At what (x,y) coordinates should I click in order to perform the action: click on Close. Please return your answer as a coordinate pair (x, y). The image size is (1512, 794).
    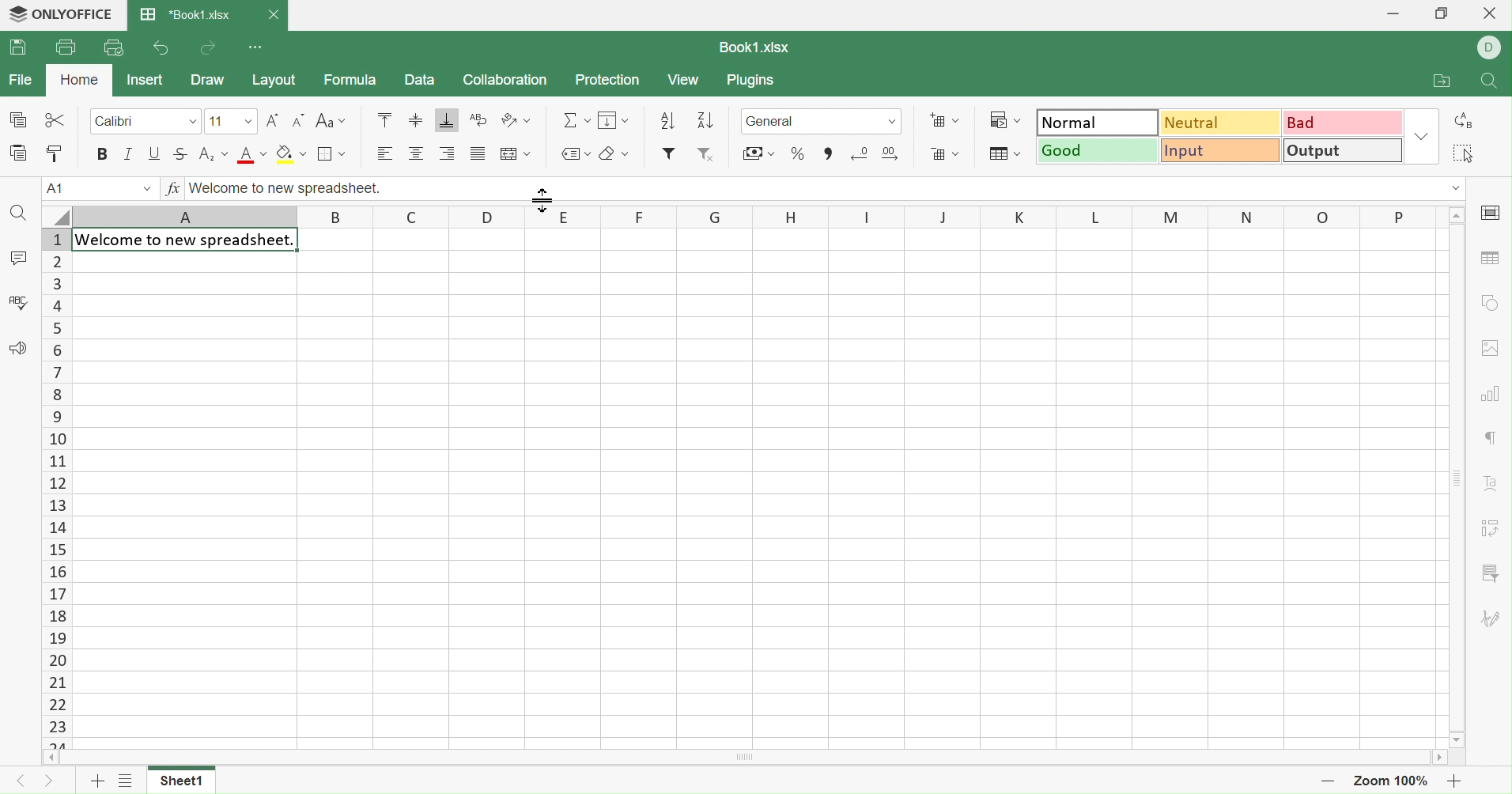
    Looking at the image, I should click on (275, 13).